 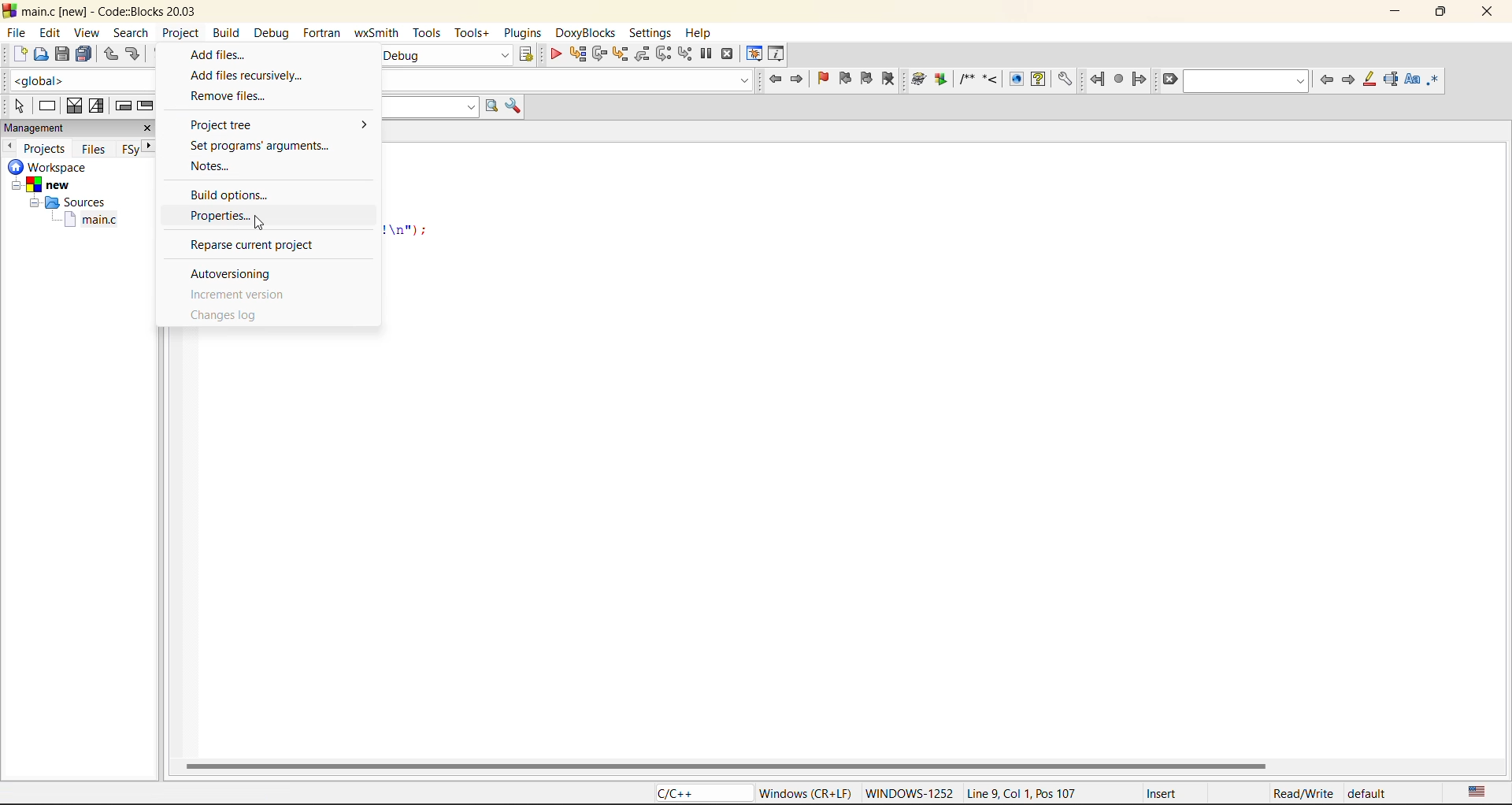 What do you see at coordinates (241, 192) in the screenshot?
I see `build options` at bounding box center [241, 192].